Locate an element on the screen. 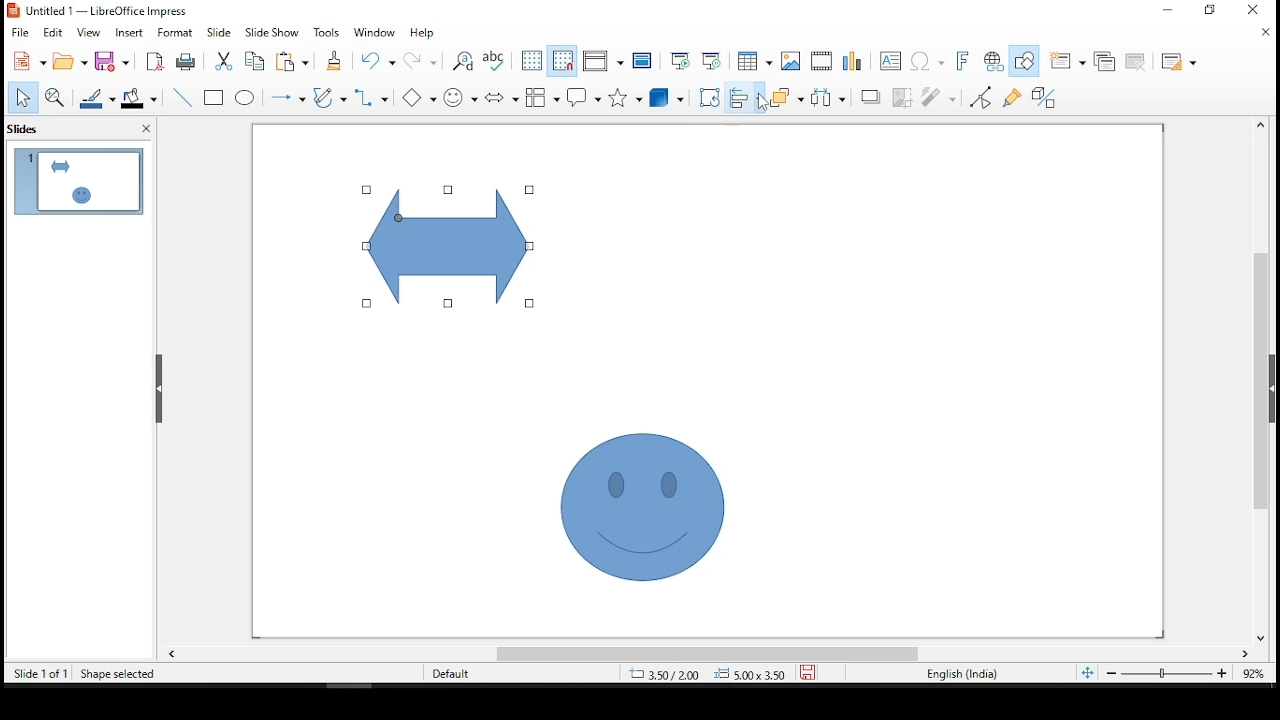  default is located at coordinates (457, 673).